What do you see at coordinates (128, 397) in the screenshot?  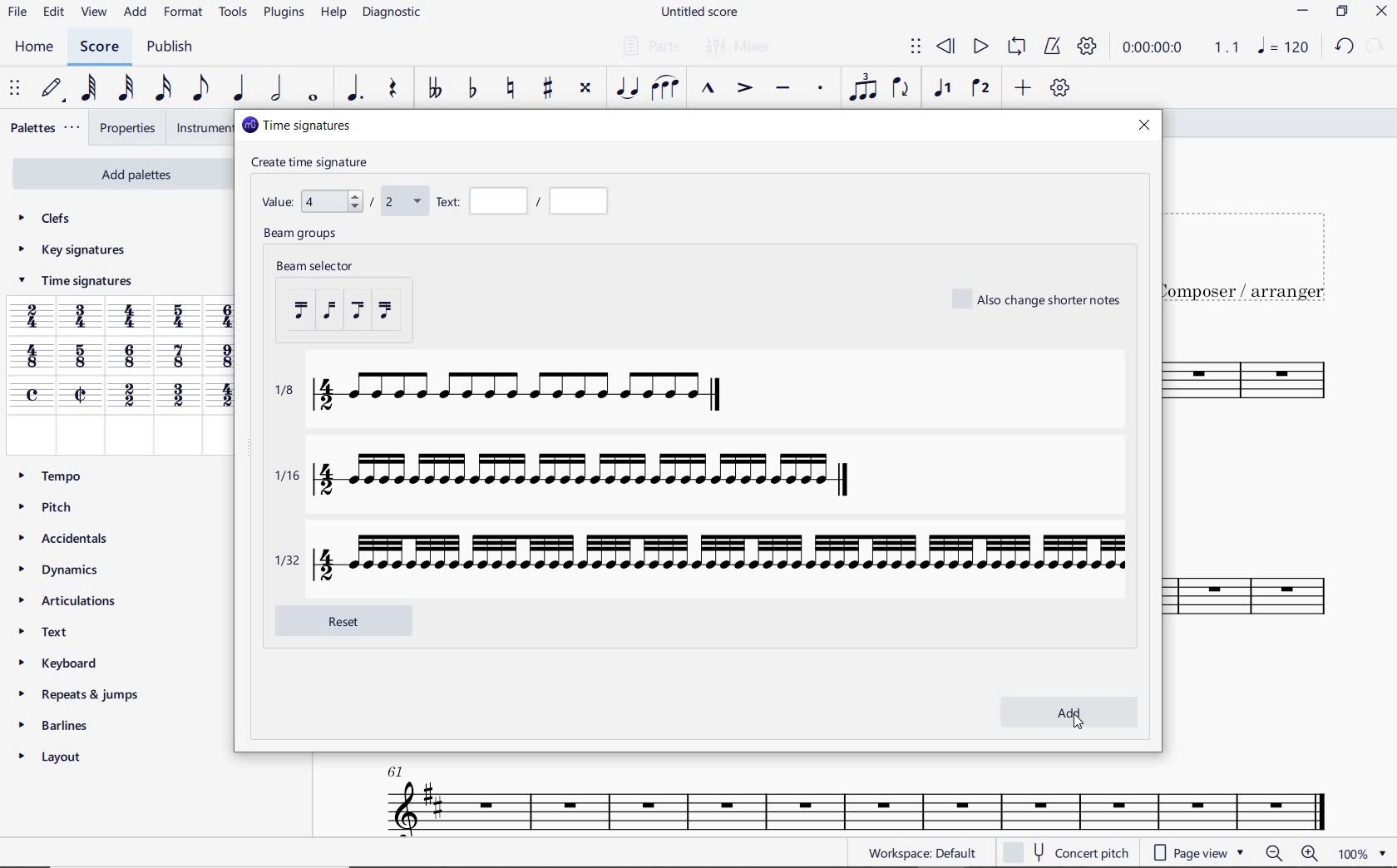 I see `2/2` at bounding box center [128, 397].